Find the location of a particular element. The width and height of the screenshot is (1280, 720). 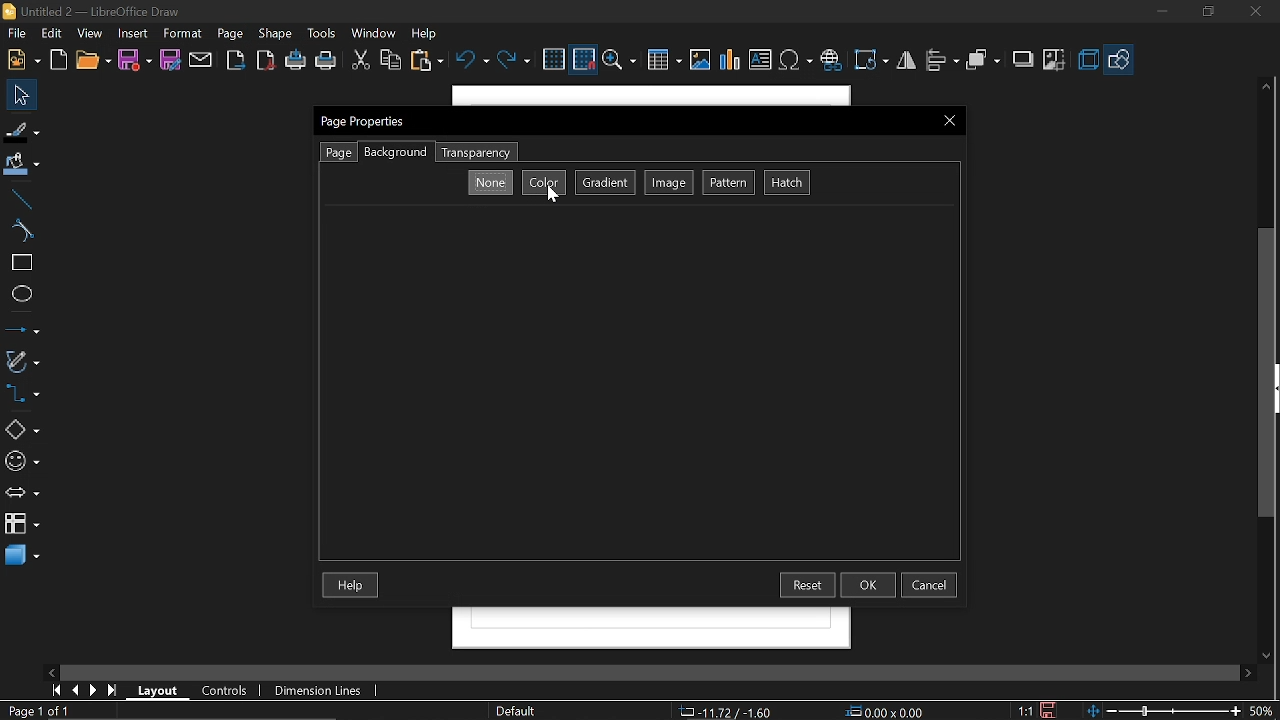

Restore down is located at coordinates (1206, 14).